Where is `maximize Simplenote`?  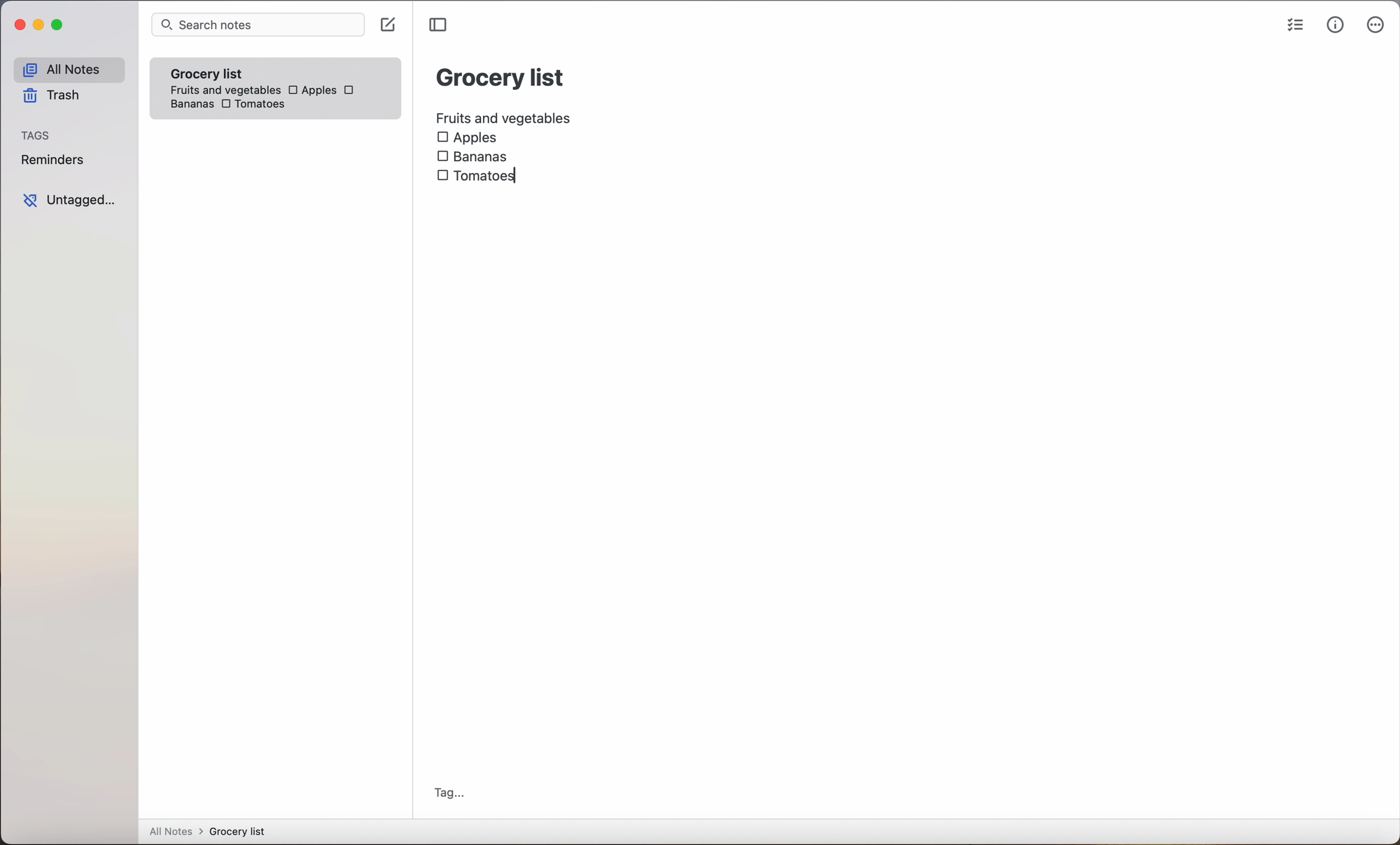
maximize Simplenote is located at coordinates (60, 26).